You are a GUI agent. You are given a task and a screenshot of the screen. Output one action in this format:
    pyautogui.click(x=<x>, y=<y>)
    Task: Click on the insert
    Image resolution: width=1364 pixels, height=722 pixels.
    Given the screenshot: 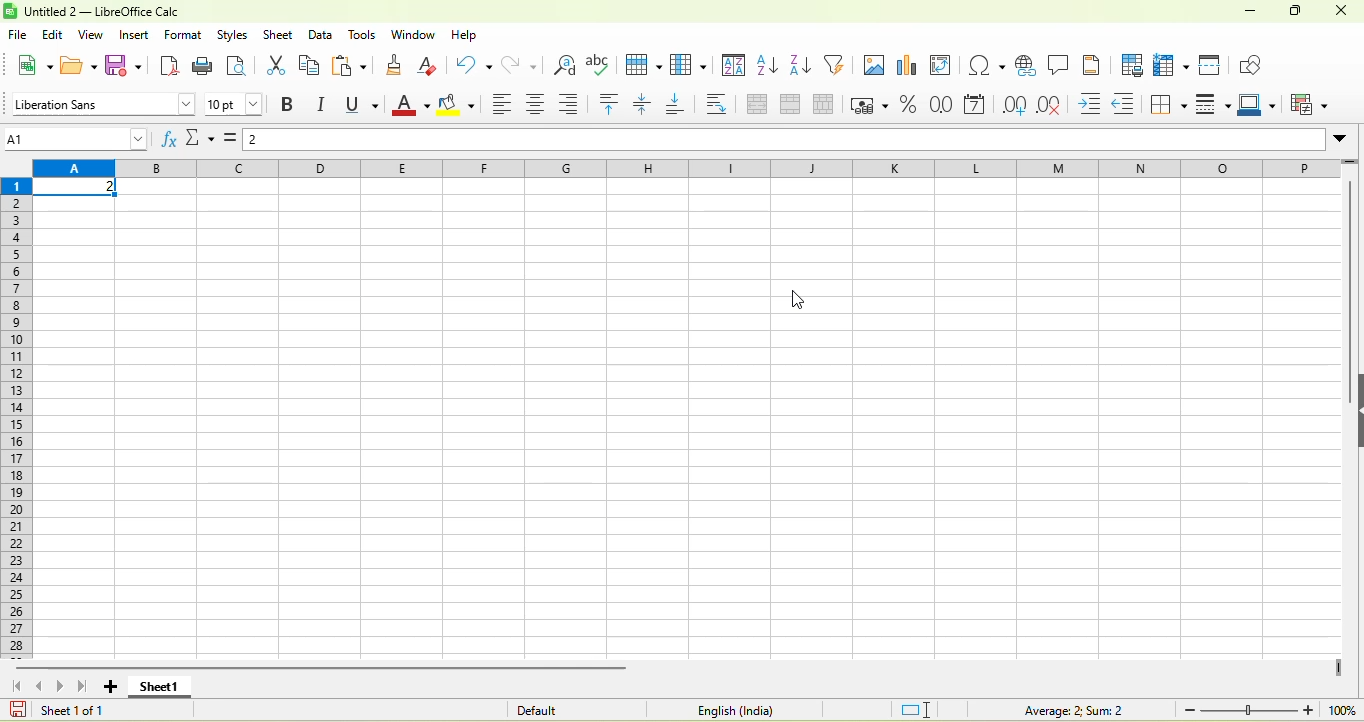 What is the action you would take?
    pyautogui.click(x=136, y=35)
    